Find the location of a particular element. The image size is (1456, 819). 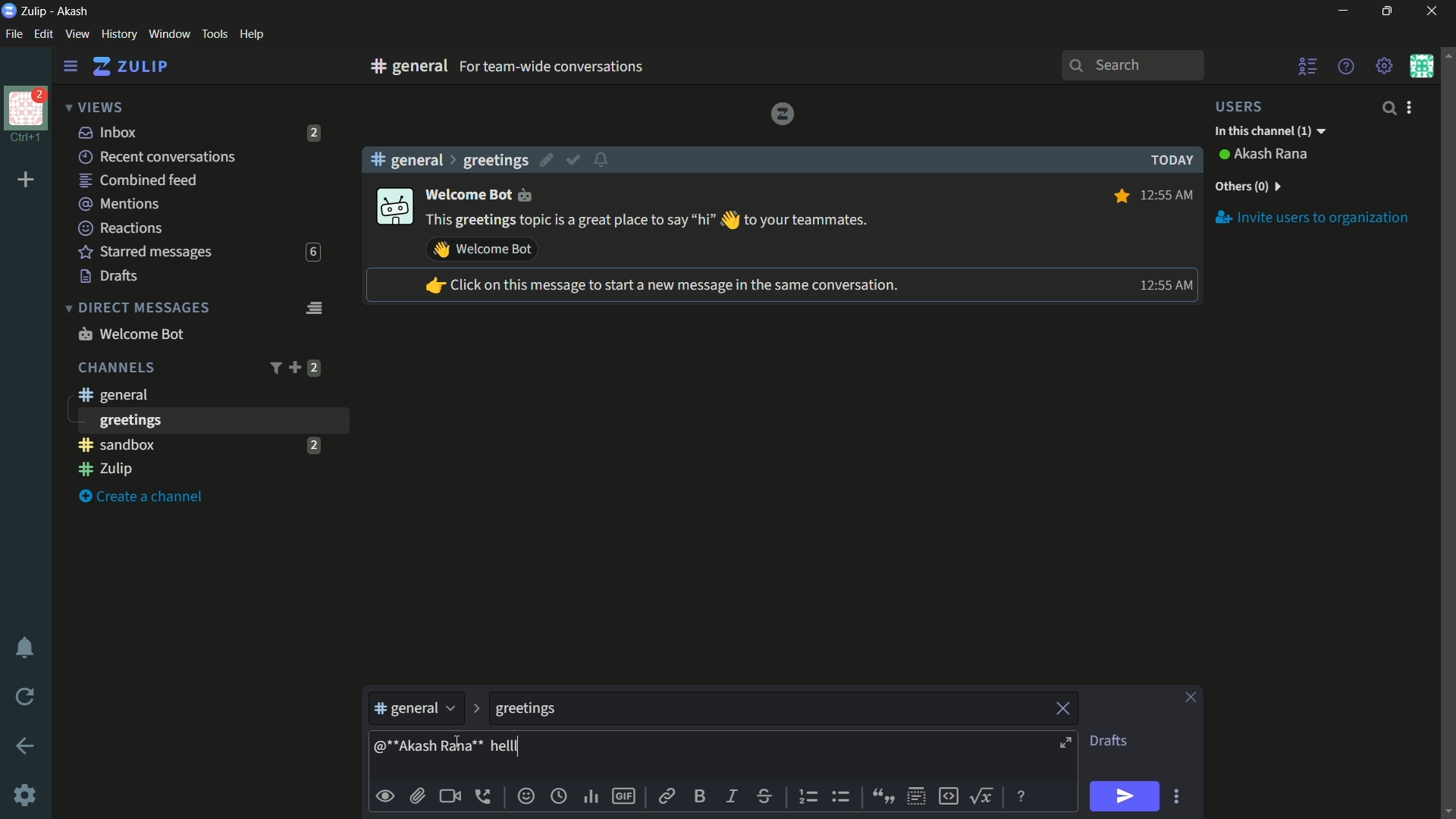

enable DND is located at coordinates (25, 648).